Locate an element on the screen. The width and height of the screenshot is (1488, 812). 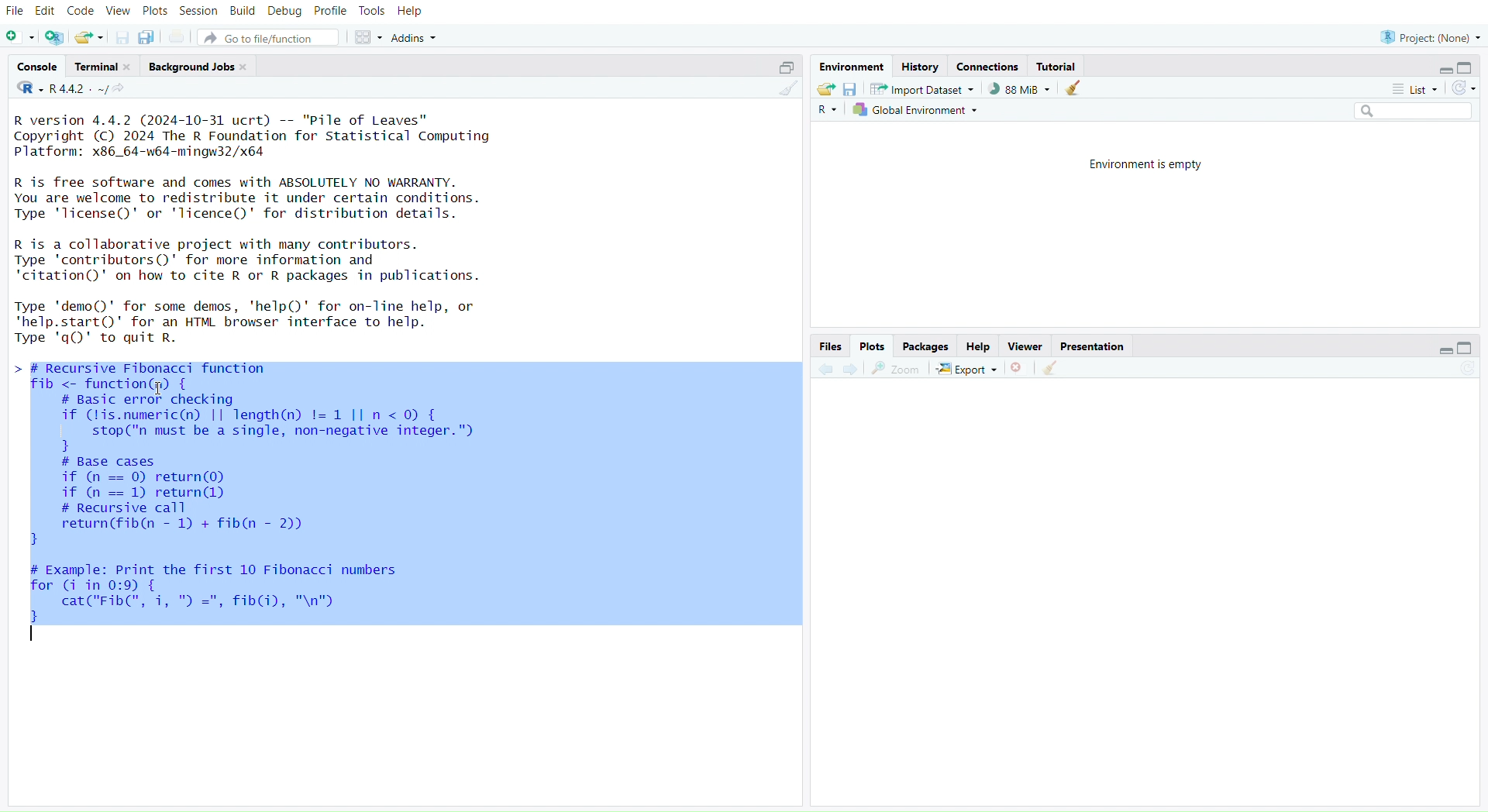
export is located at coordinates (968, 370).